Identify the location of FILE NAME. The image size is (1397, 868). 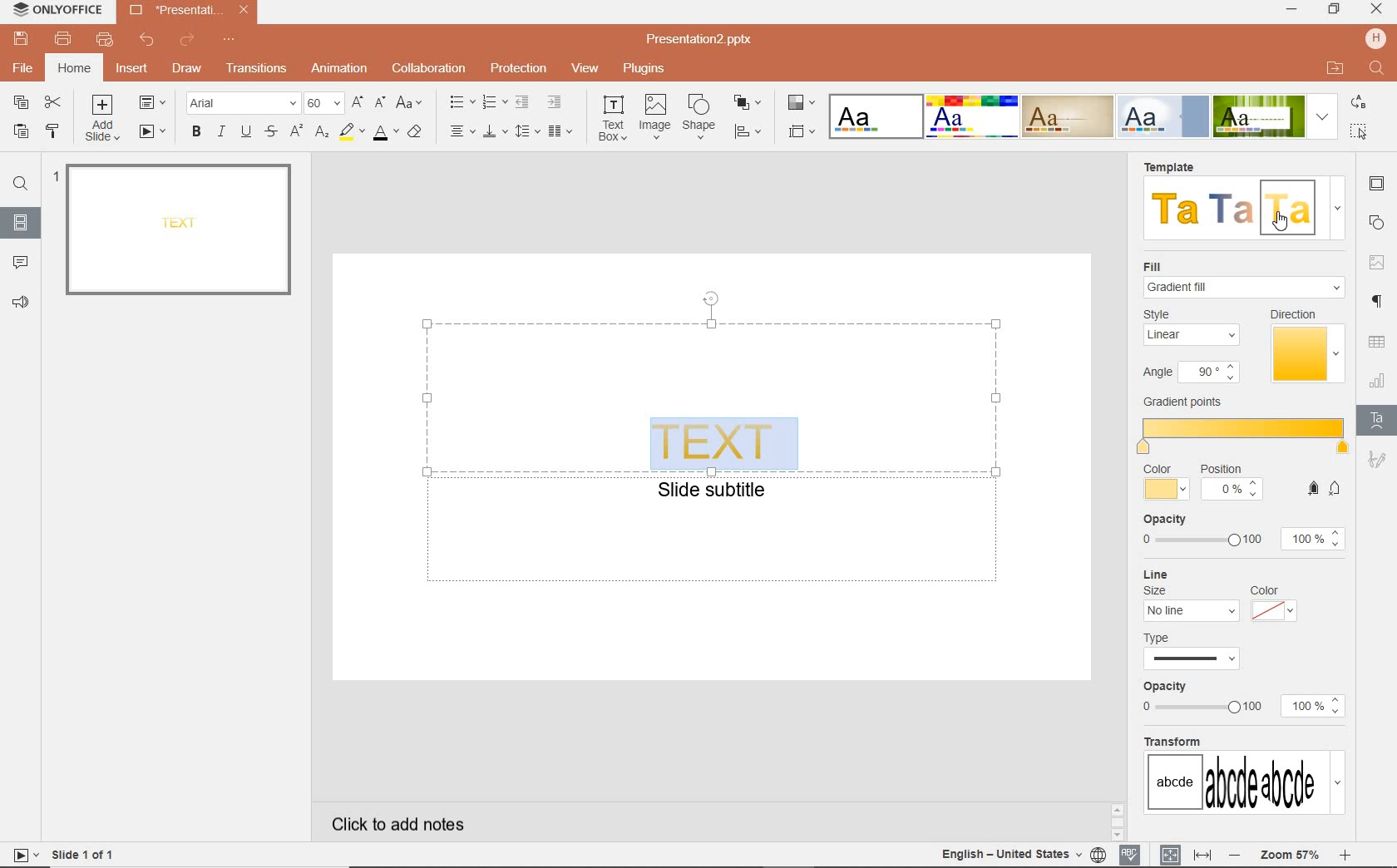
(704, 39).